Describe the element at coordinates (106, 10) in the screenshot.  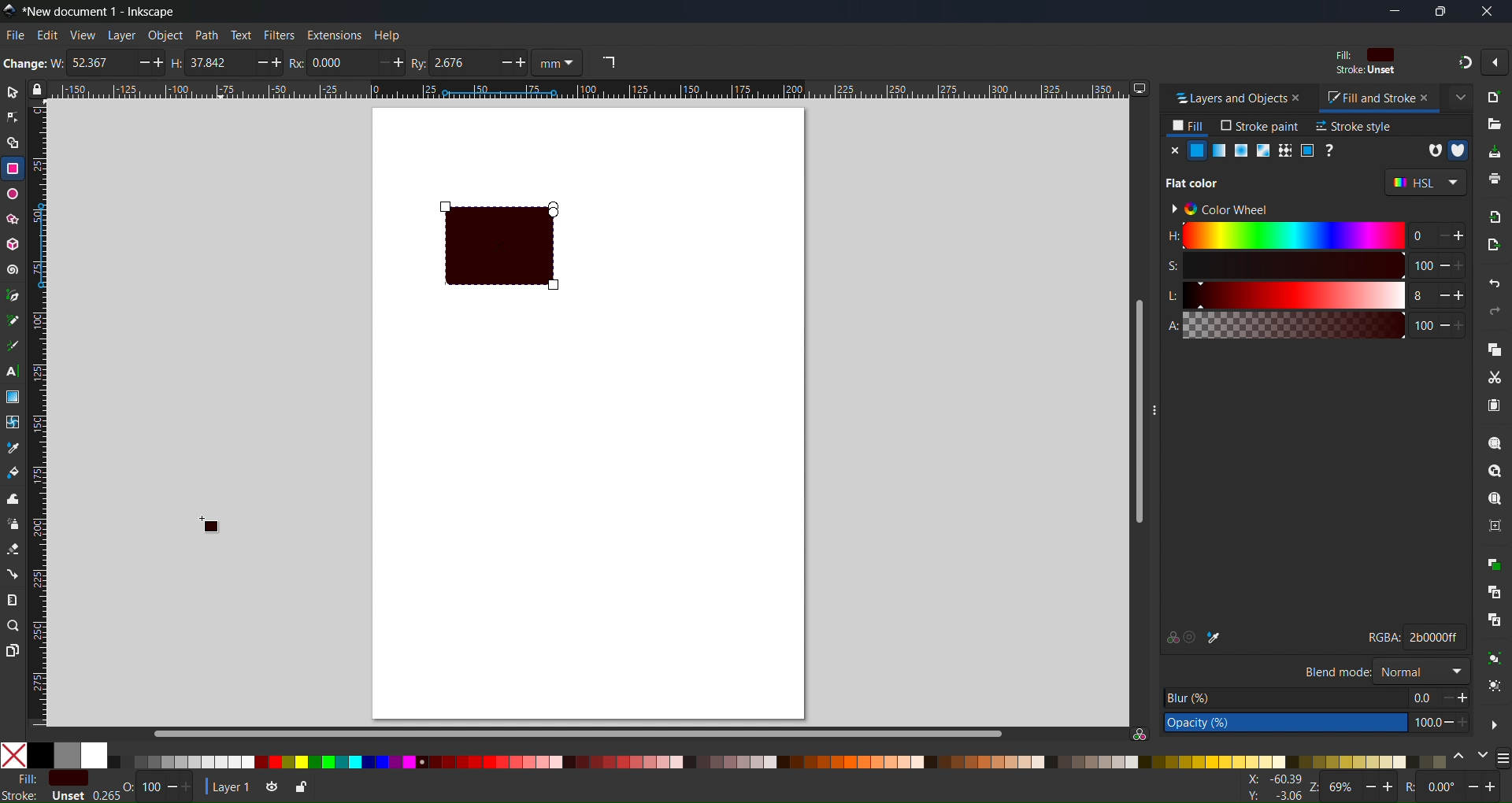
I see ` New document 1 - Inkscape` at that location.